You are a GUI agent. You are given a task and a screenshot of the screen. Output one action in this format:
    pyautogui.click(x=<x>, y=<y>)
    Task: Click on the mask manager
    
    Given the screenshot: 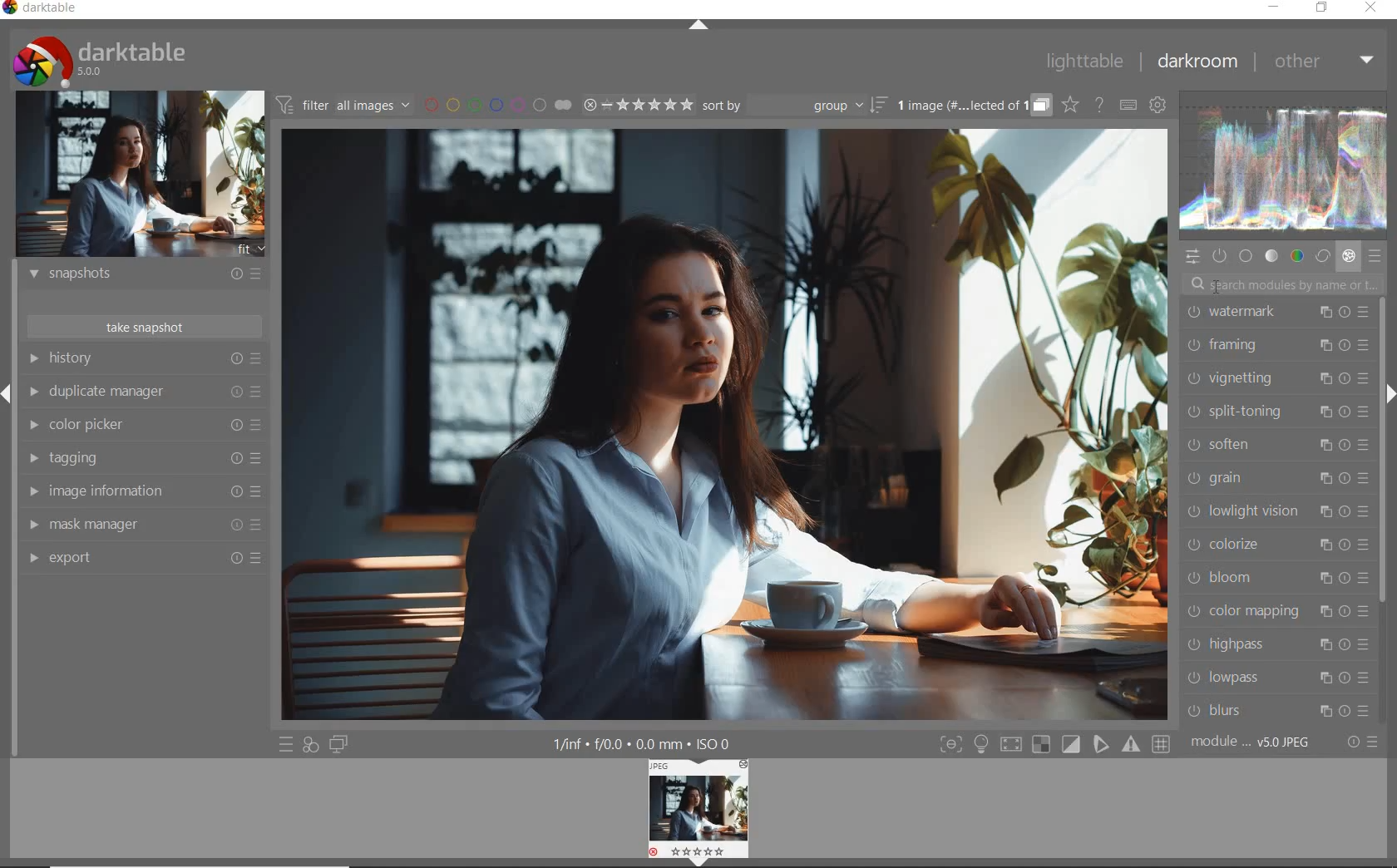 What is the action you would take?
    pyautogui.click(x=141, y=525)
    